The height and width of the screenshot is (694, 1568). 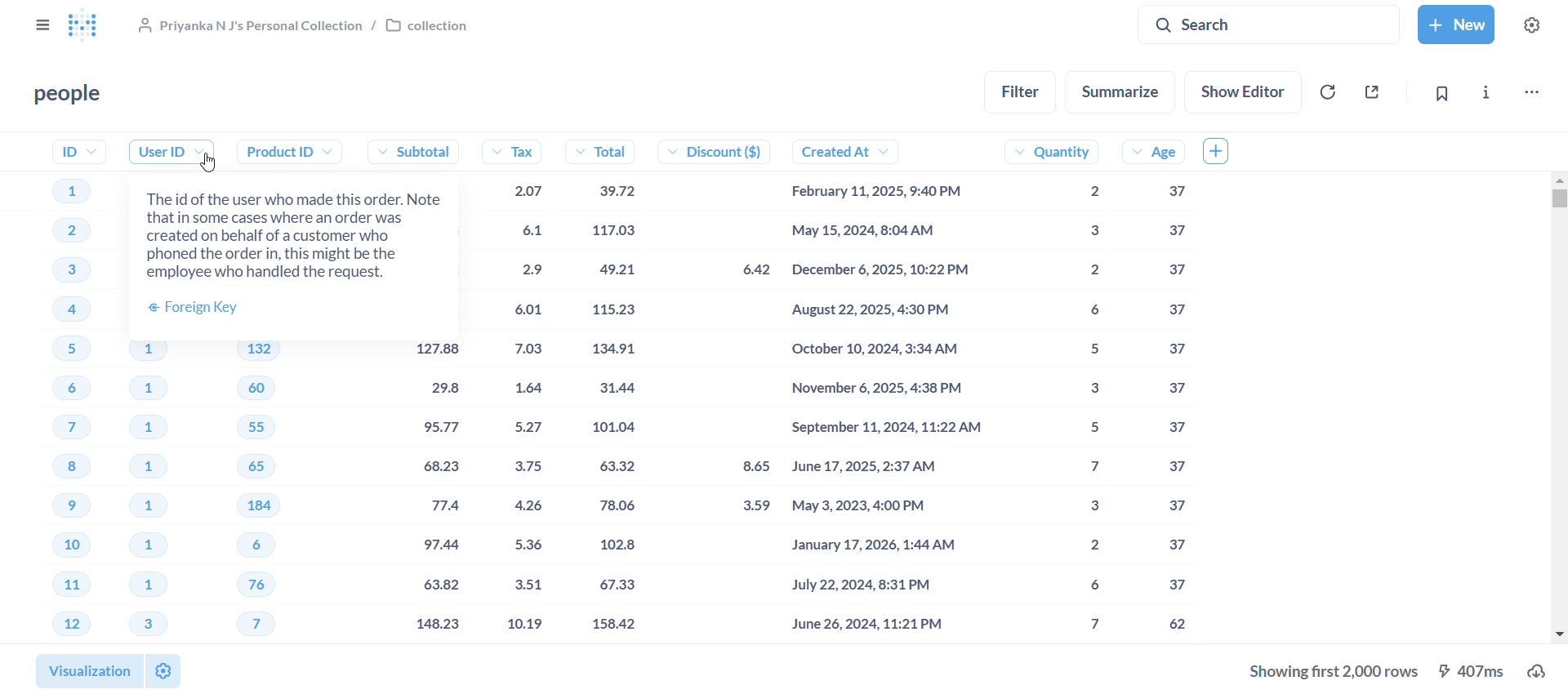 I want to click on add column, so click(x=1221, y=152).